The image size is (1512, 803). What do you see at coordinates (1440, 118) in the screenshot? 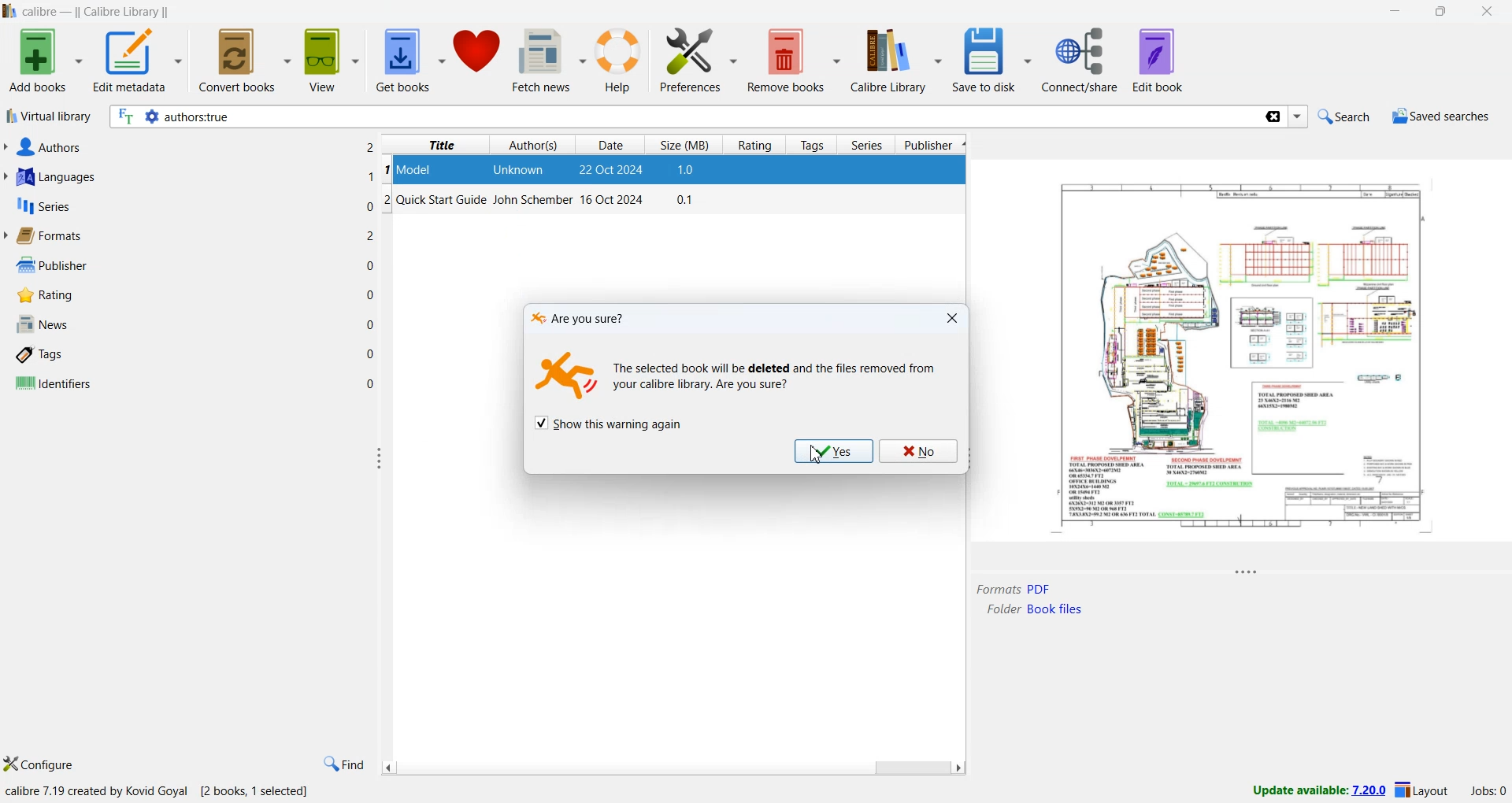
I see `saved searches` at bounding box center [1440, 118].